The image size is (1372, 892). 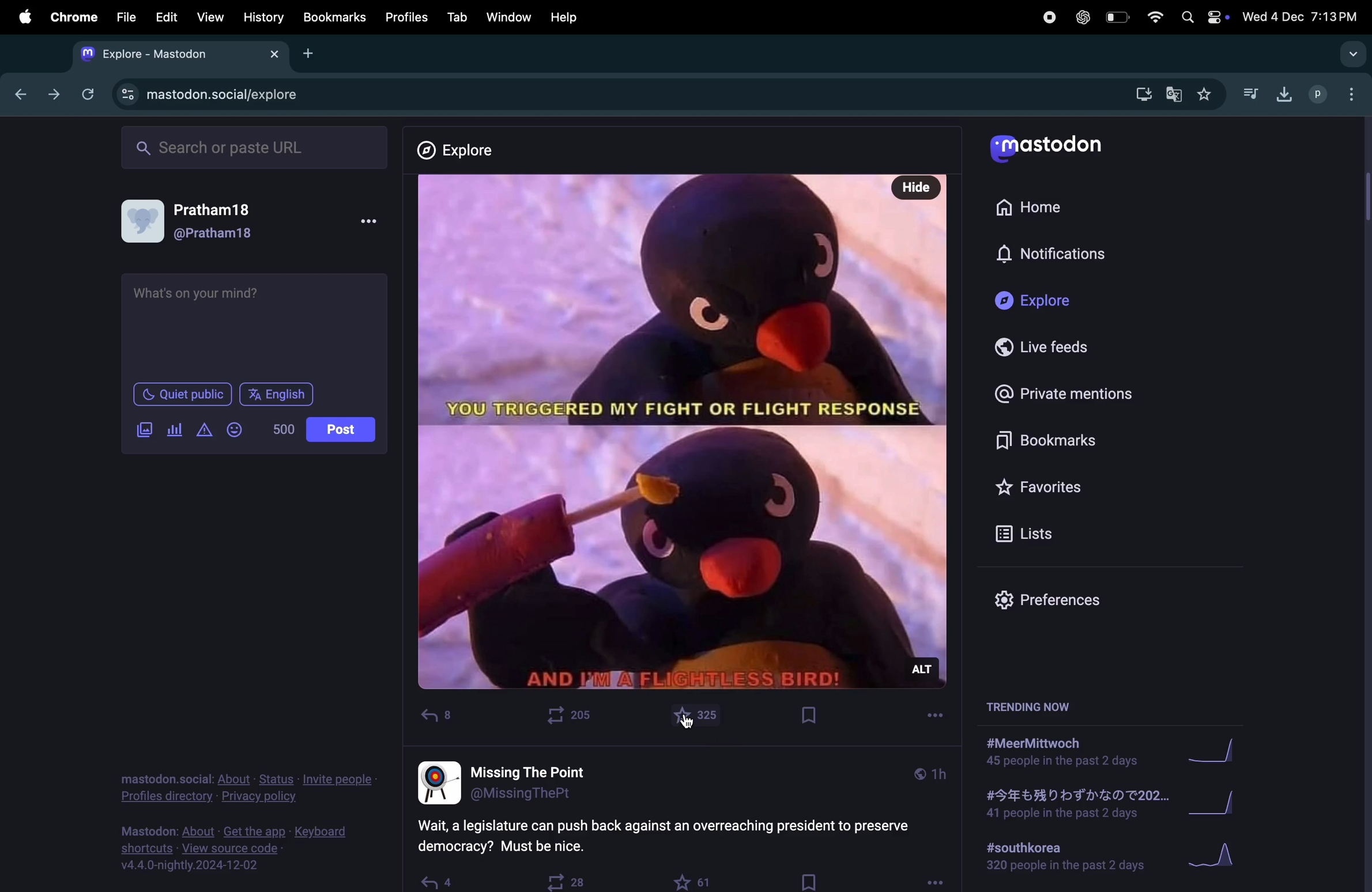 I want to click on English, so click(x=277, y=396).